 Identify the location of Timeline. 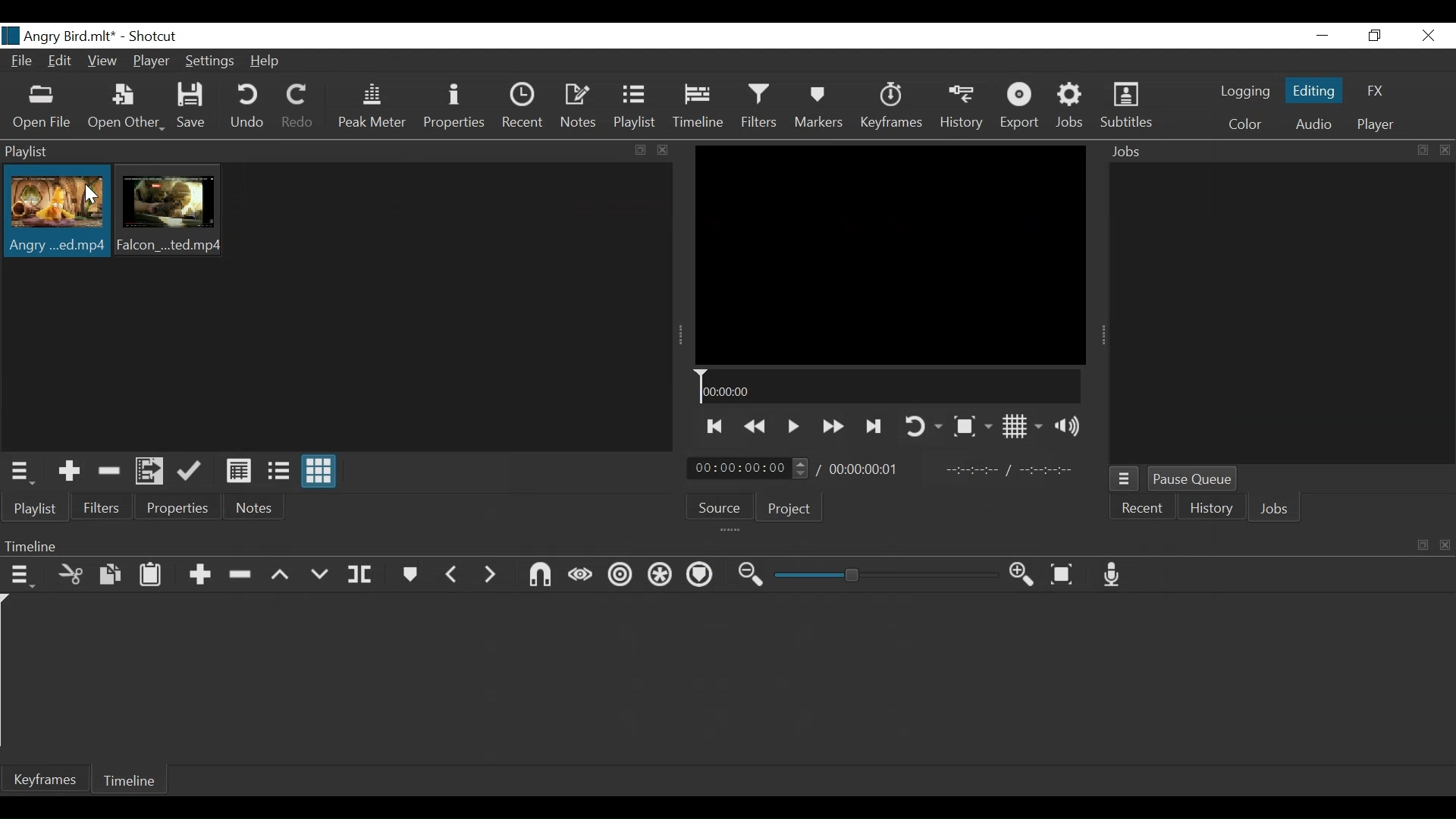
(131, 779).